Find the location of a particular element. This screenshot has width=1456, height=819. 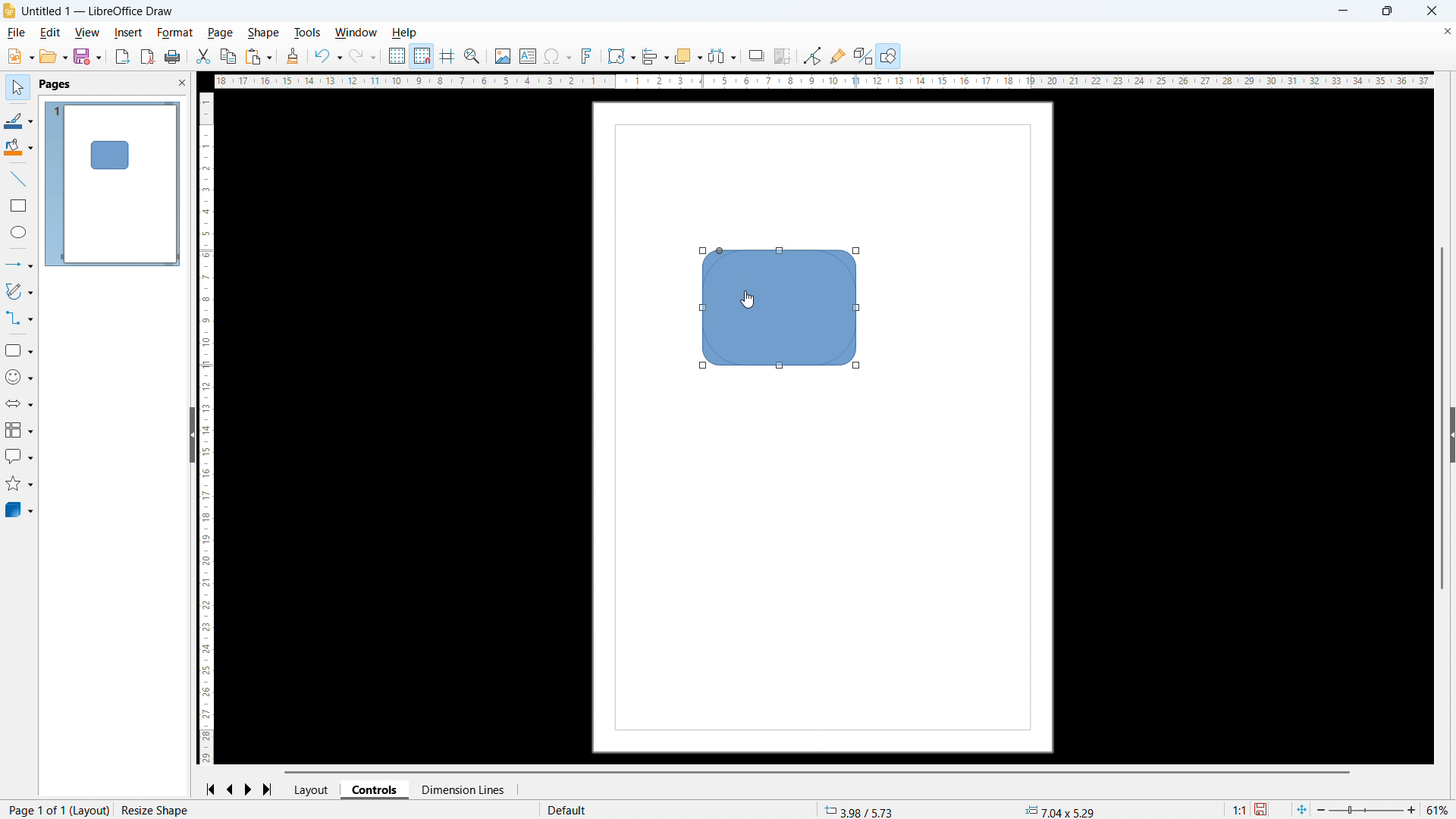

Transformations  is located at coordinates (621, 55).